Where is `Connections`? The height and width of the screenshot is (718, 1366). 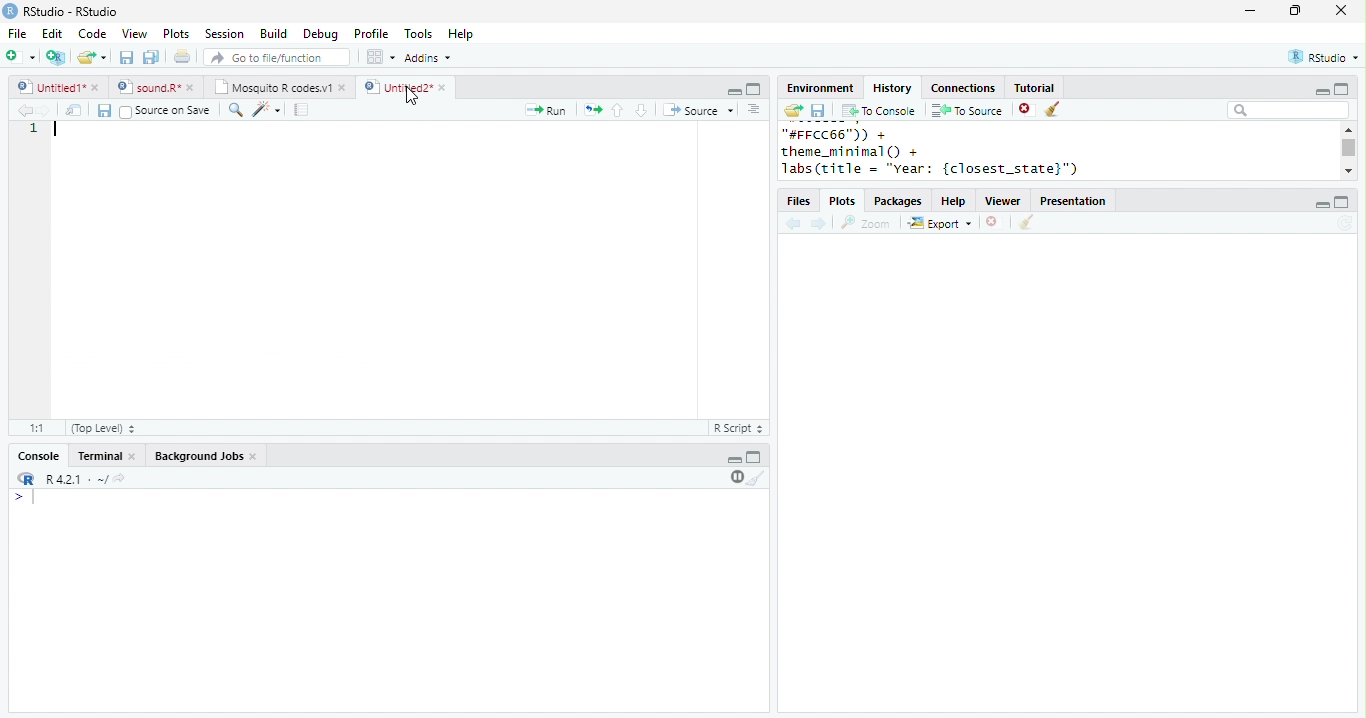
Connections is located at coordinates (962, 88).